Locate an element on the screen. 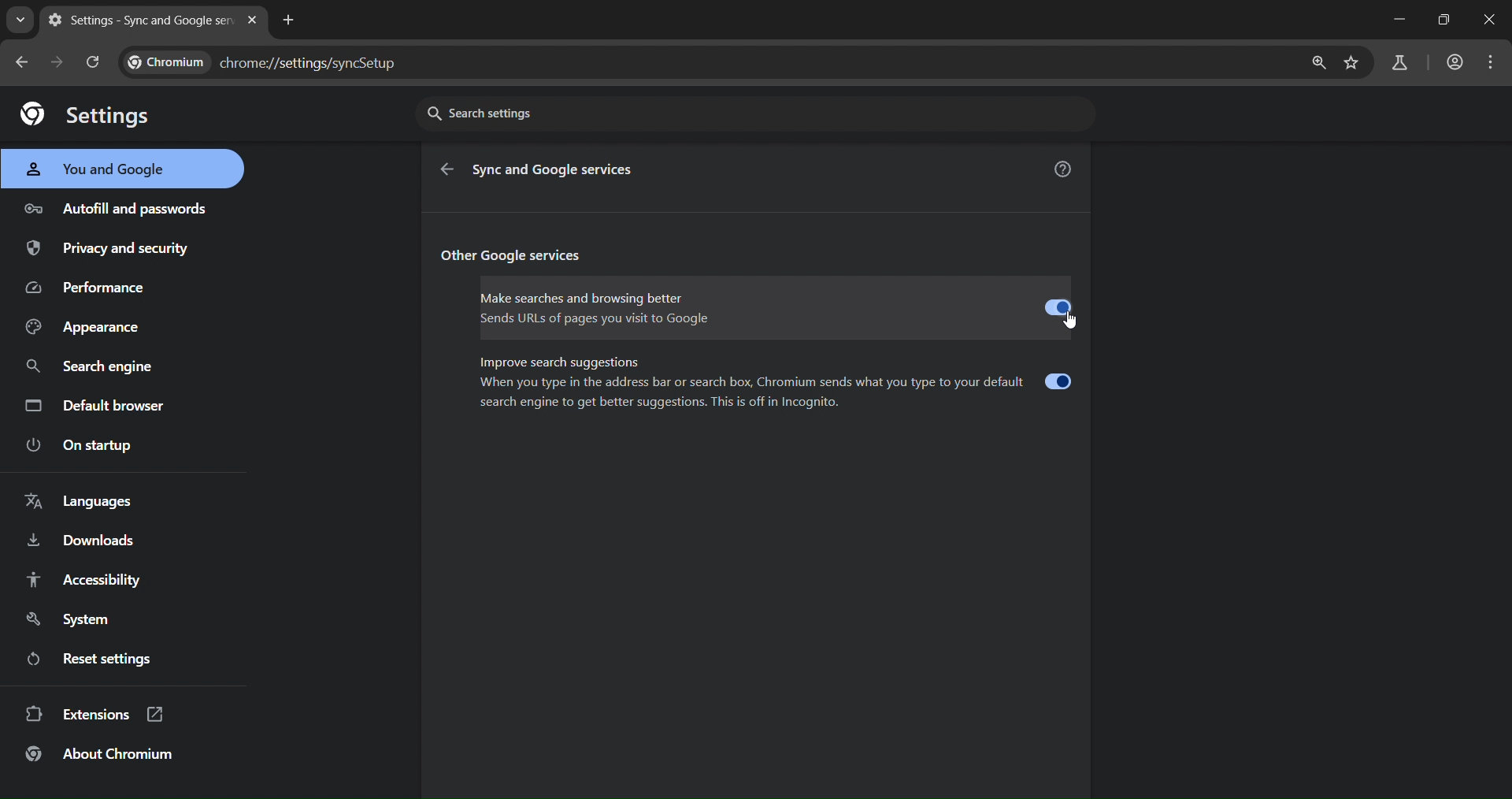 Image resolution: width=1512 pixels, height=799 pixels. reload page is located at coordinates (98, 63).